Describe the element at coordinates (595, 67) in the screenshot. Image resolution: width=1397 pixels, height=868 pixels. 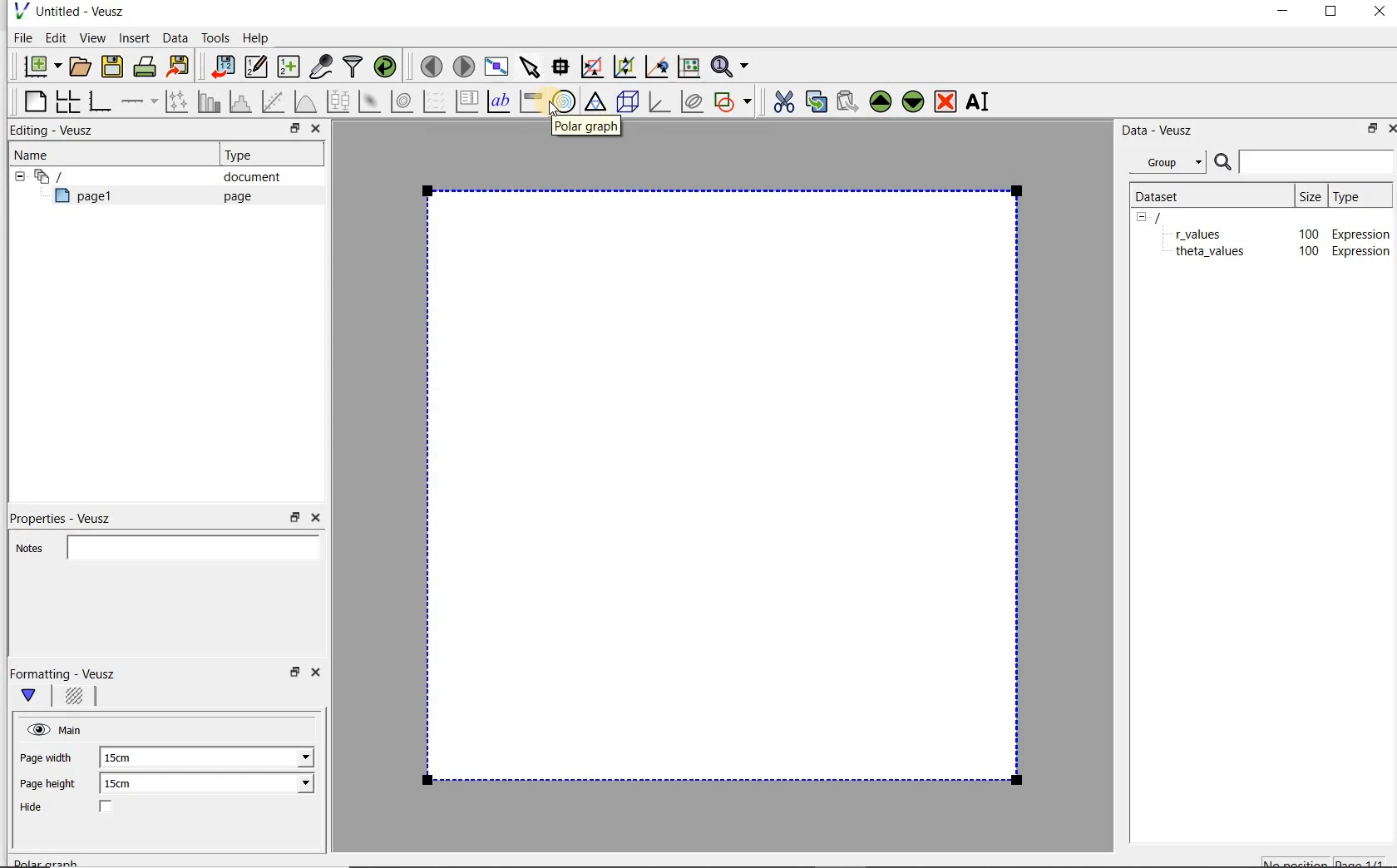
I see `click or draw a rectangle to zoom graph axes` at that location.